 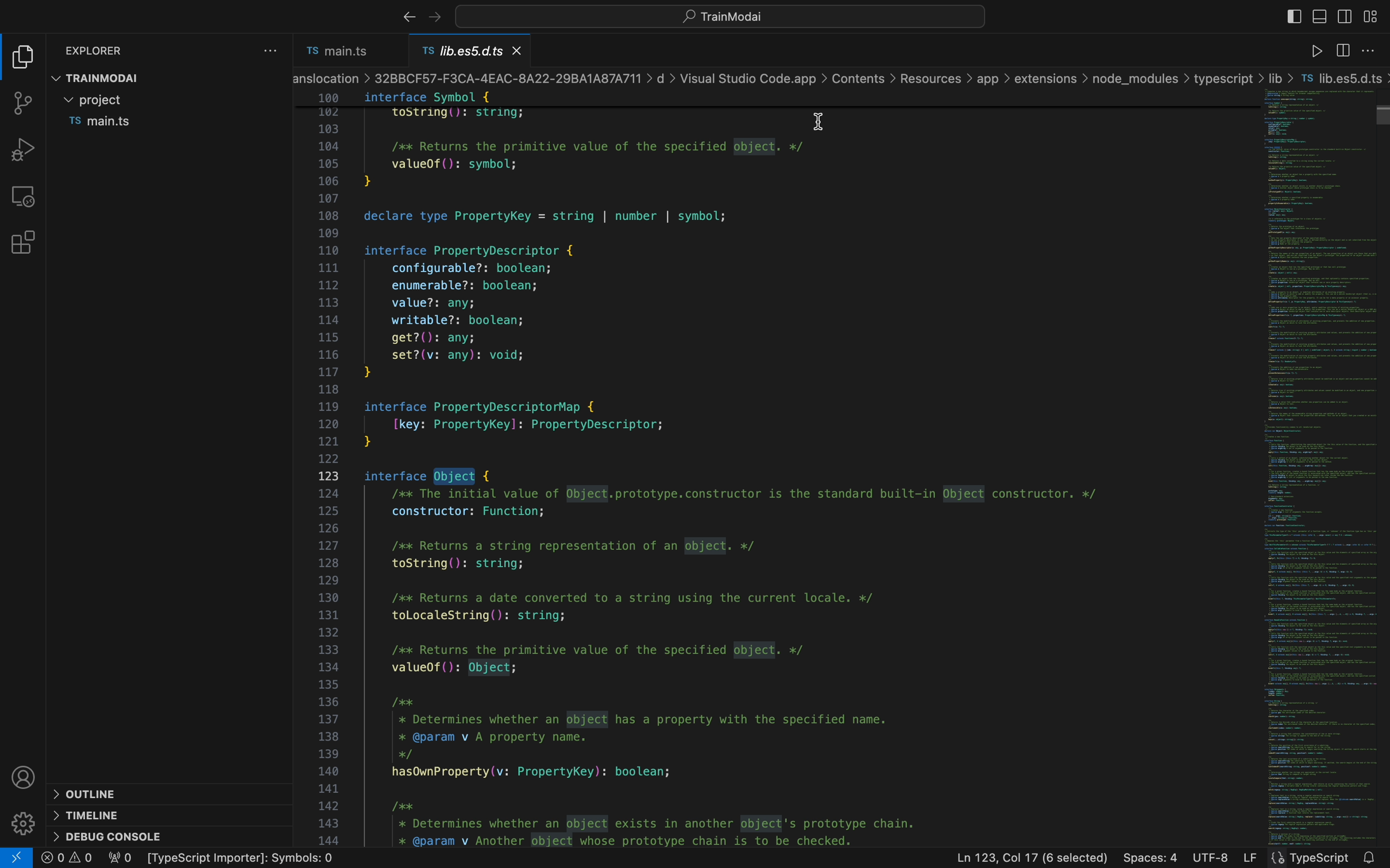 What do you see at coordinates (99, 122) in the screenshot?
I see `file` at bounding box center [99, 122].